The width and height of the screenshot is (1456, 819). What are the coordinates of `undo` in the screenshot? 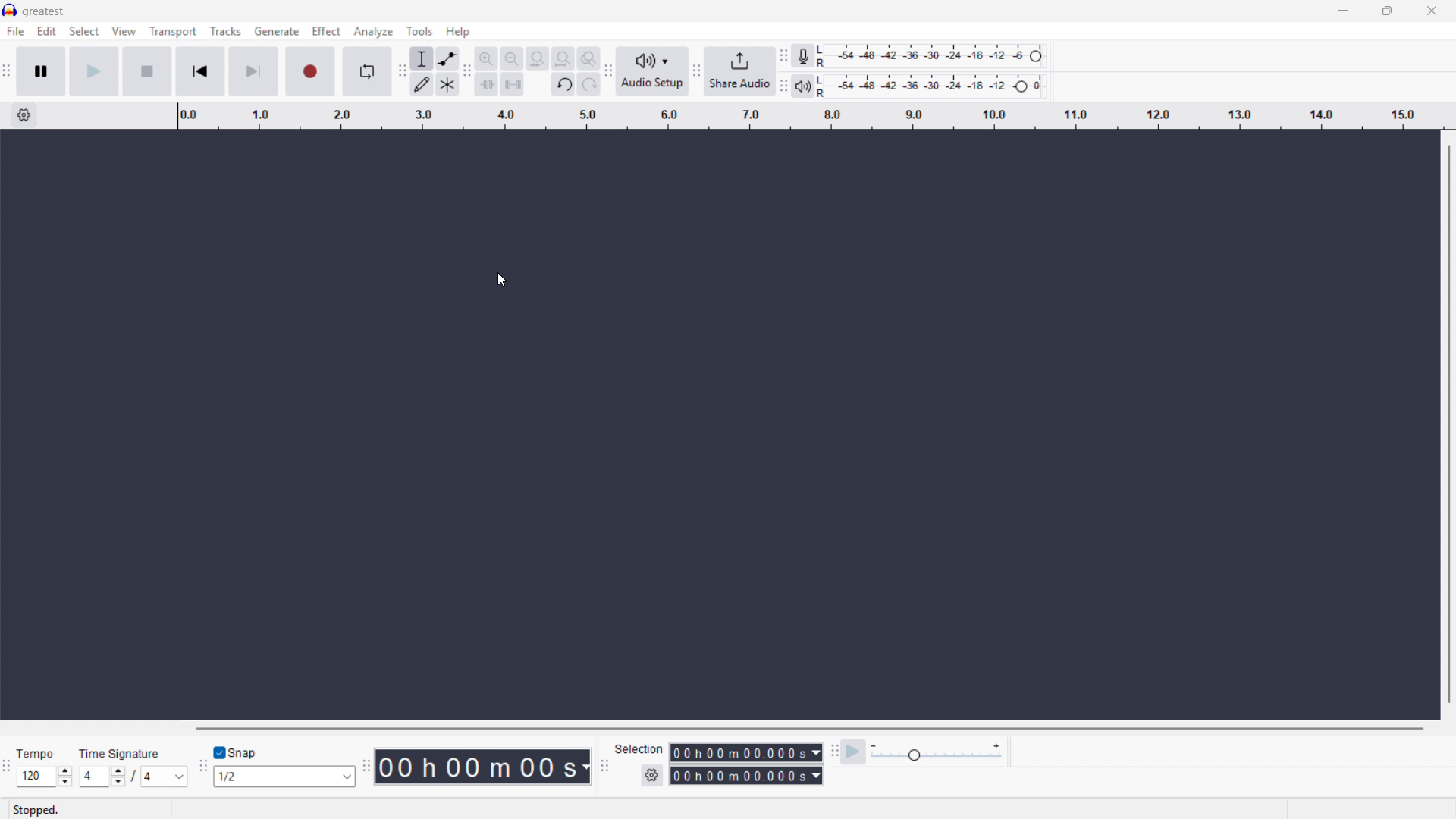 It's located at (564, 84).